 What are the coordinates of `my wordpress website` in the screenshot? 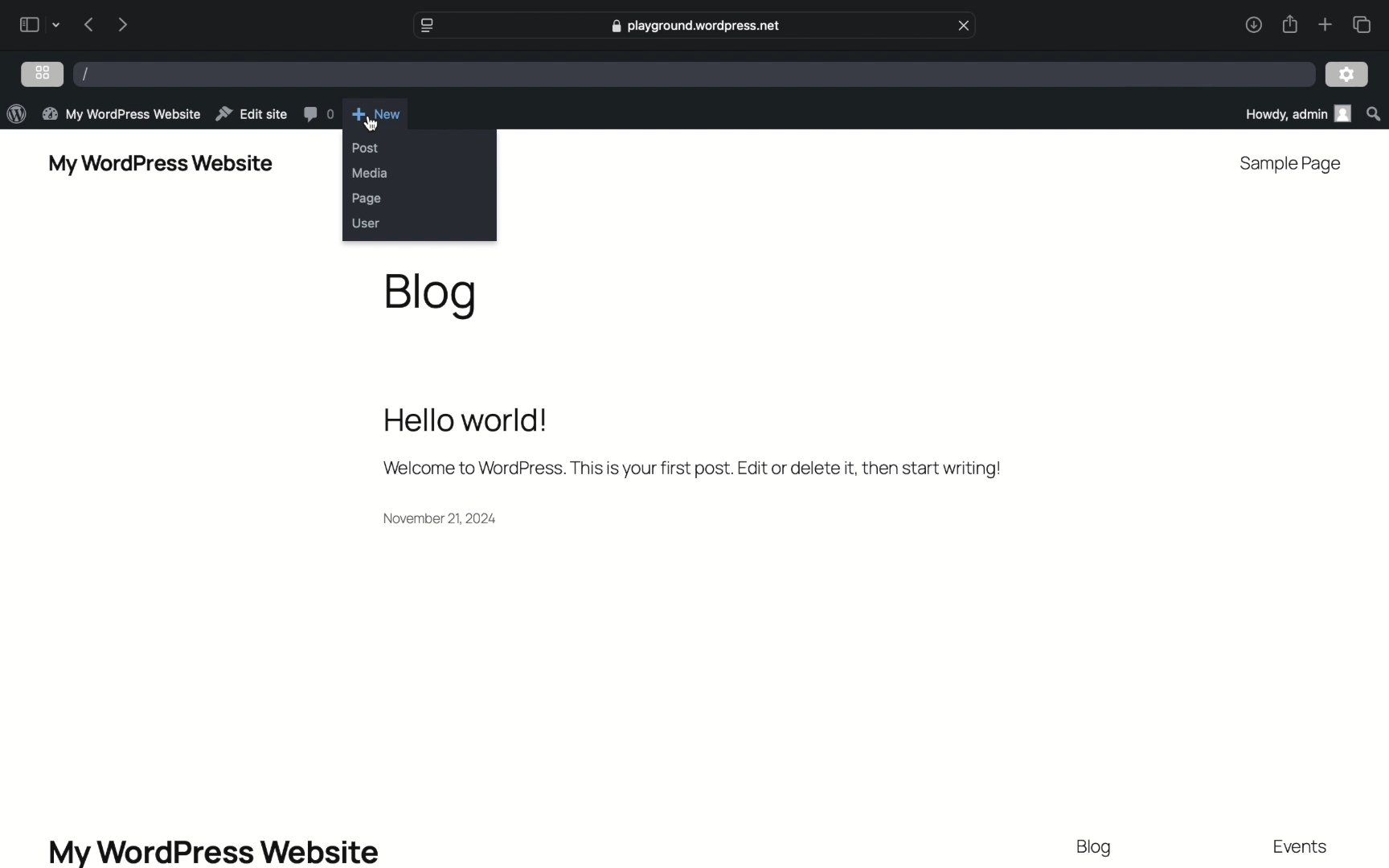 It's located at (213, 852).